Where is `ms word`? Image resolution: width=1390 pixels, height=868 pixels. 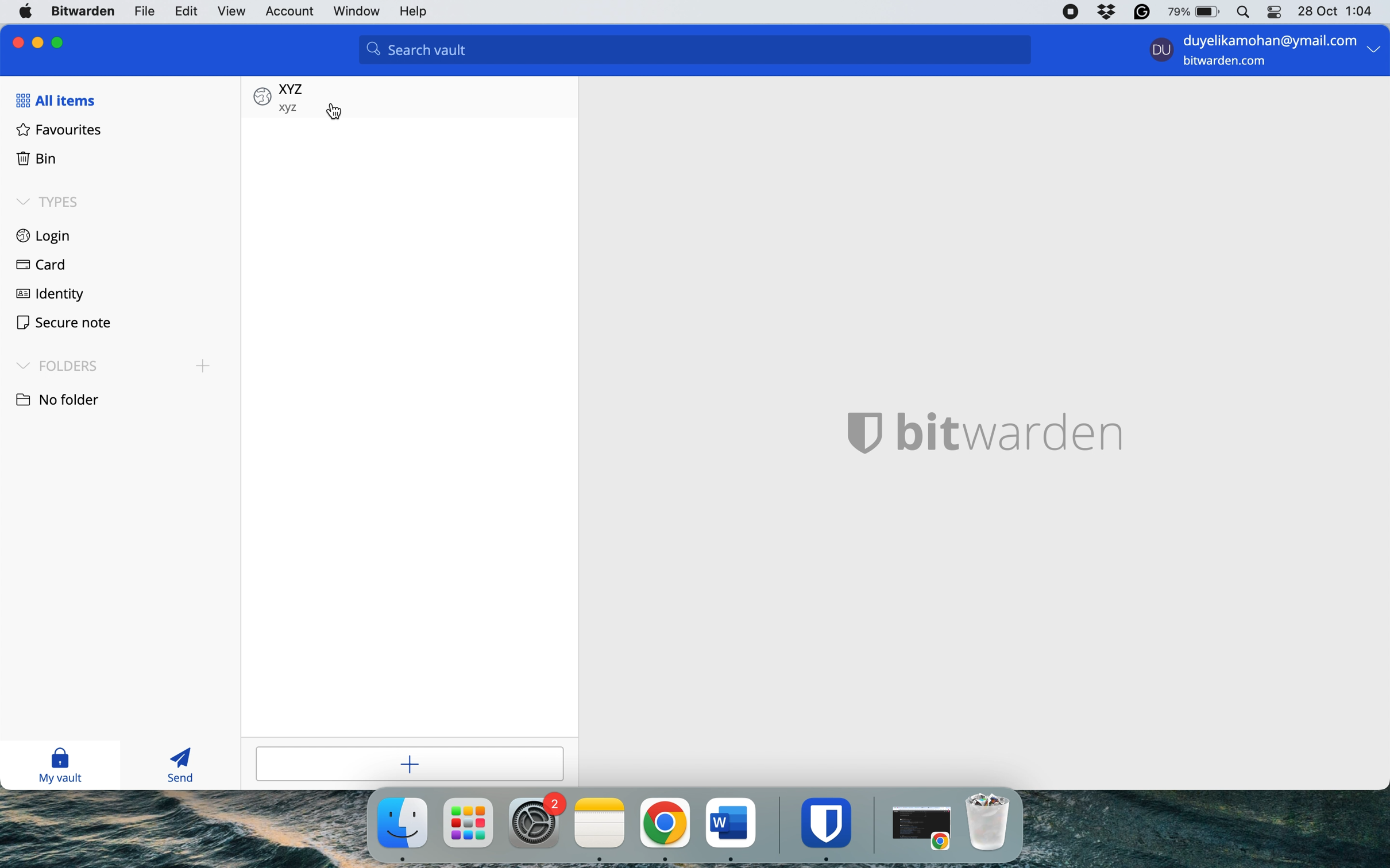
ms word is located at coordinates (731, 822).